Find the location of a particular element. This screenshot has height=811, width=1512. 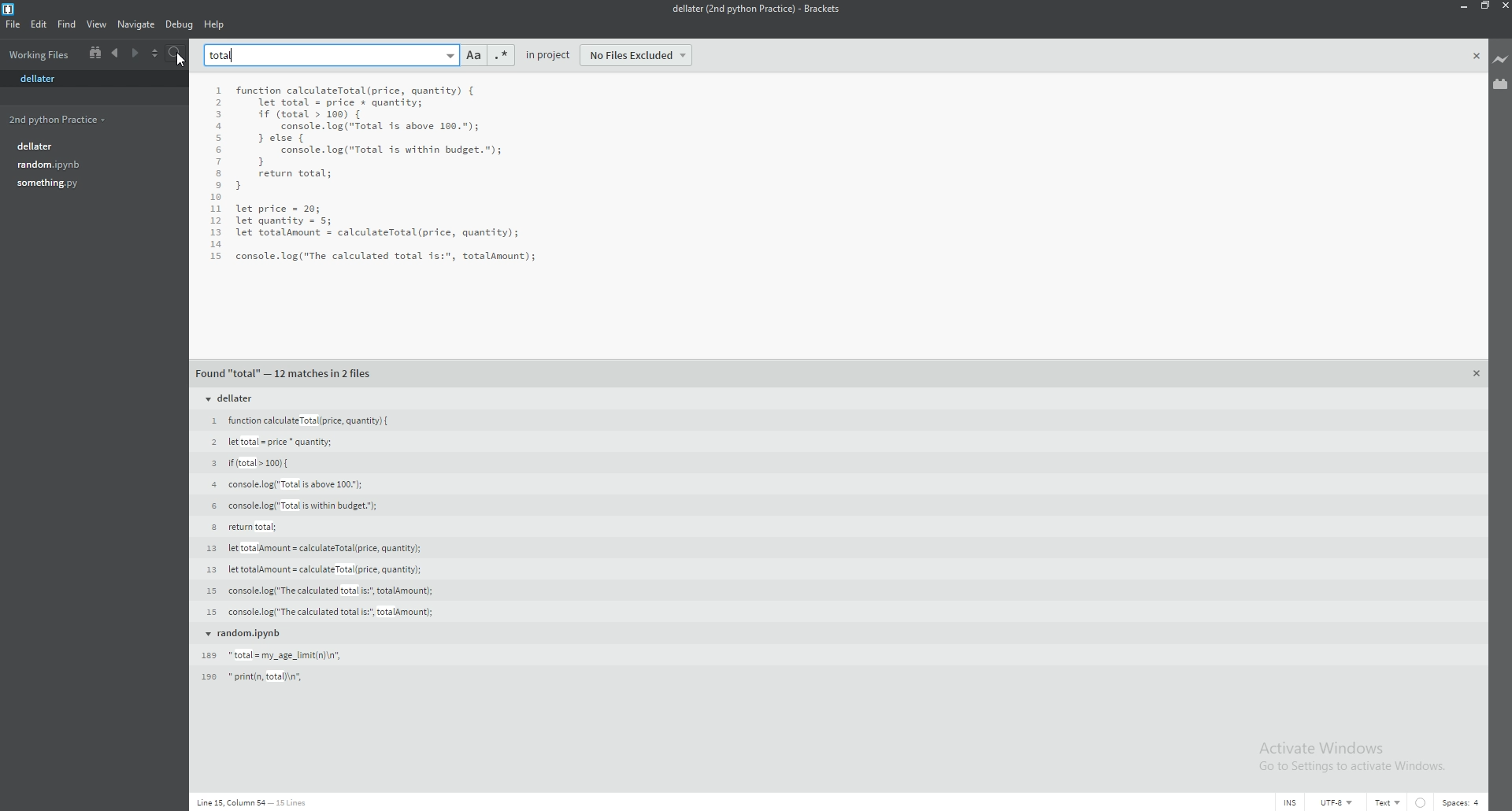

dellater (2nd python practice) - brackets is located at coordinates (754, 9).